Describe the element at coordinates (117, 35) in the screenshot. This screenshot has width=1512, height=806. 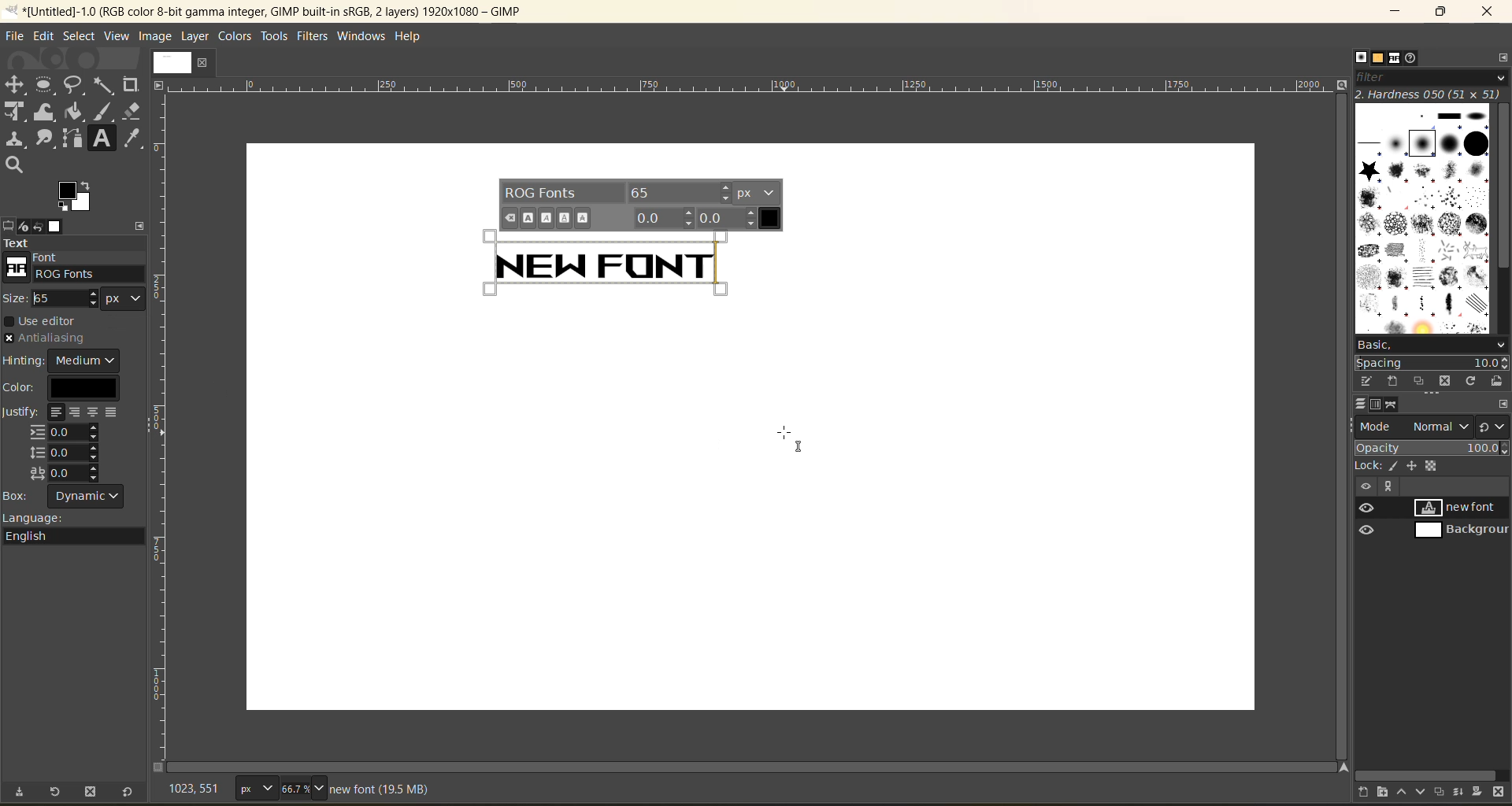
I see `view` at that location.